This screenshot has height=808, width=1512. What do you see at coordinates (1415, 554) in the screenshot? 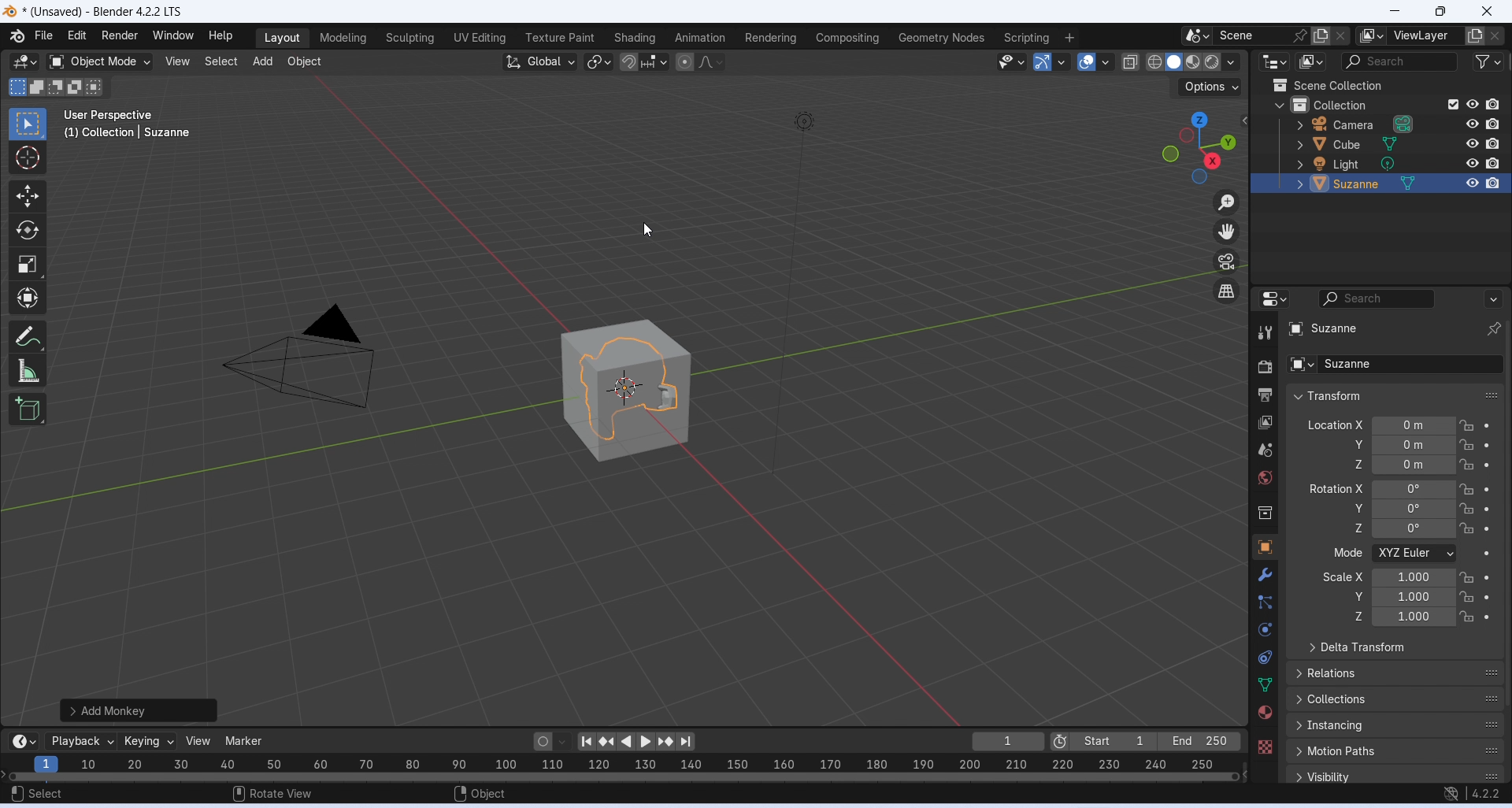
I see `mode selection` at bounding box center [1415, 554].